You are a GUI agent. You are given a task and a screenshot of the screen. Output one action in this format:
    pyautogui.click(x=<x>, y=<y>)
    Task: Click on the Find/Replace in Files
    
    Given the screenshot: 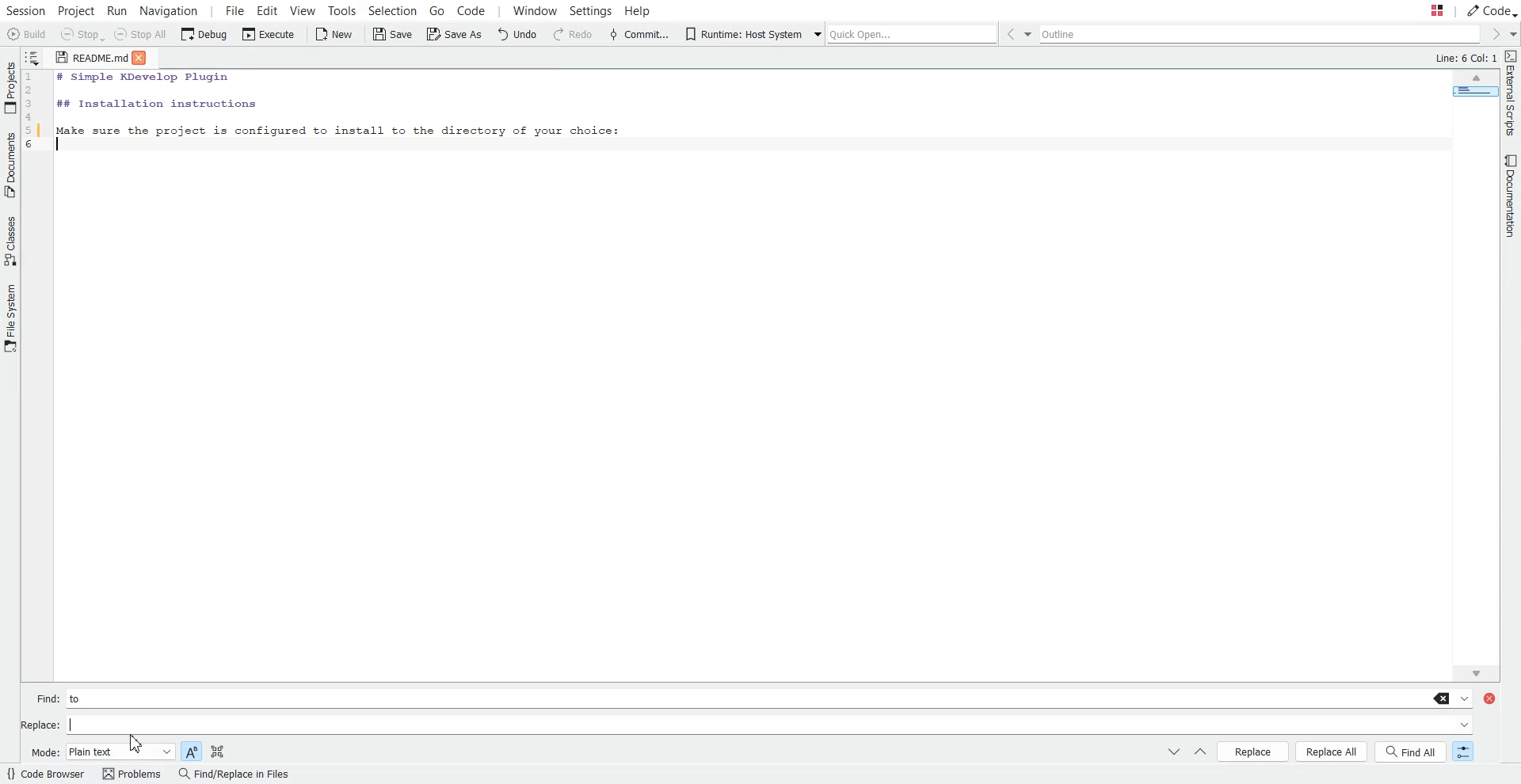 What is the action you would take?
    pyautogui.click(x=233, y=774)
    